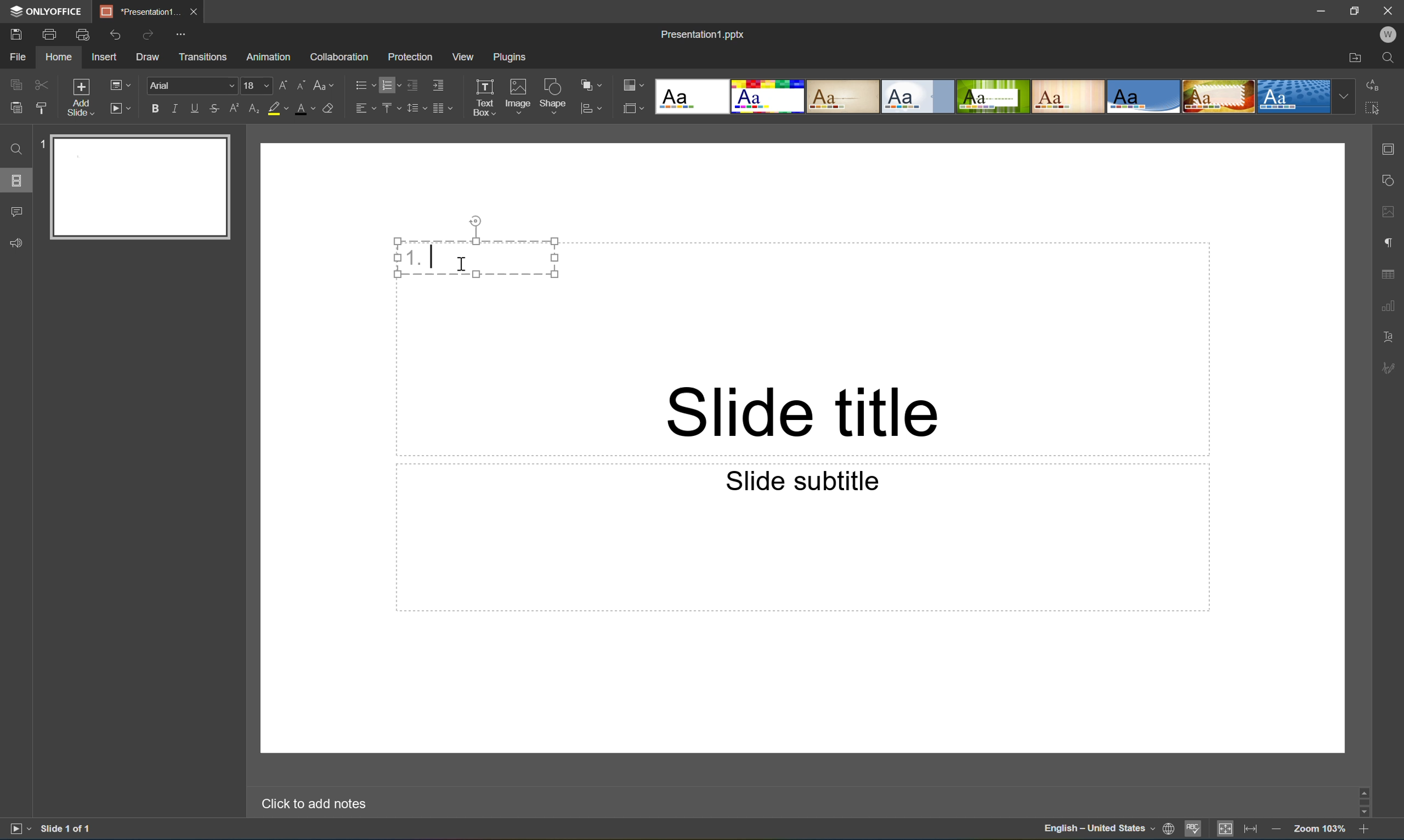 The image size is (1404, 840). Describe the element at coordinates (1389, 34) in the screenshot. I see `Welcome` at that location.